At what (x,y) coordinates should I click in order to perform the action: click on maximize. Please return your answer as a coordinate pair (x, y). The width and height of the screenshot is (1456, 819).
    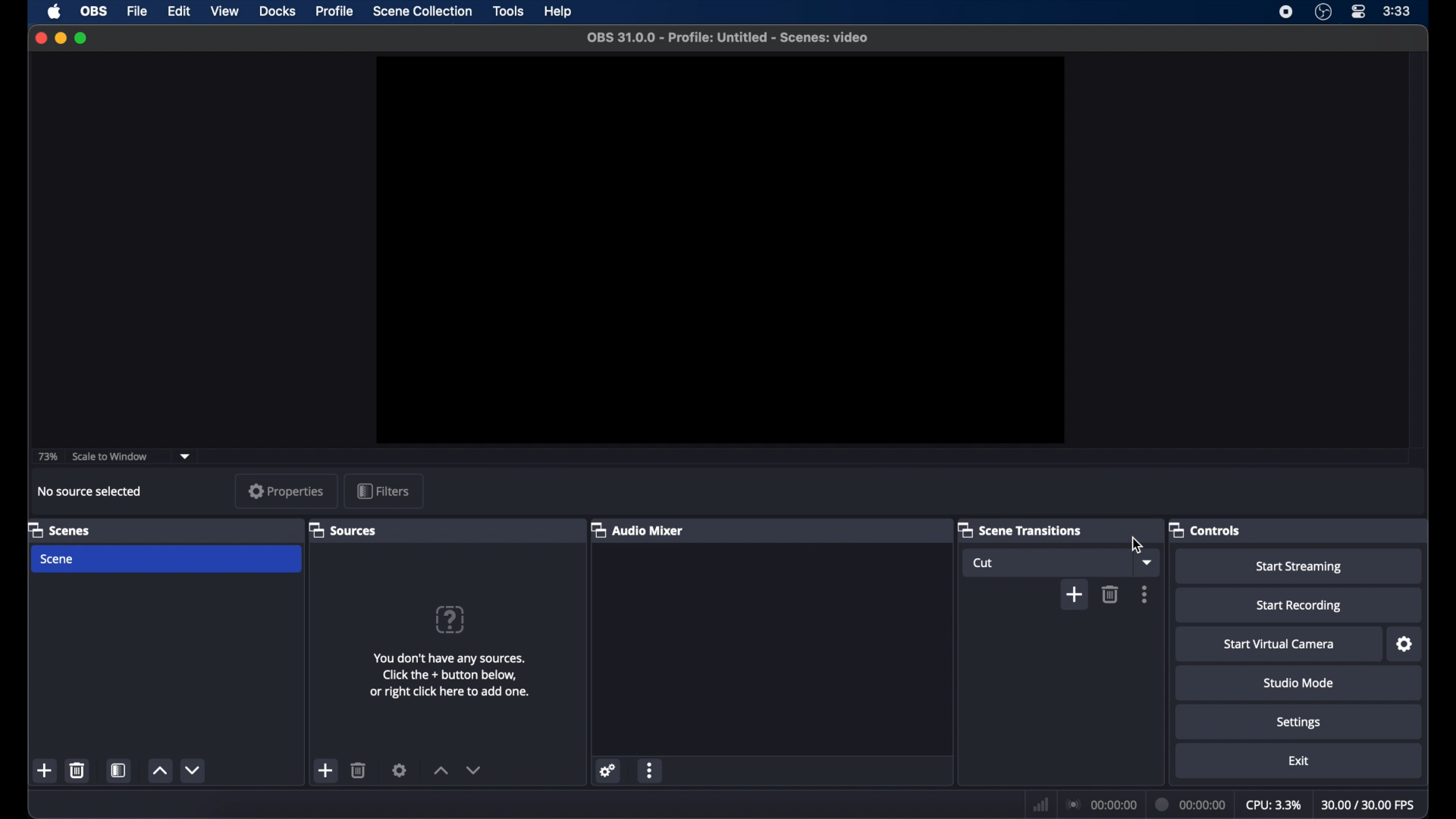
    Looking at the image, I should click on (82, 38).